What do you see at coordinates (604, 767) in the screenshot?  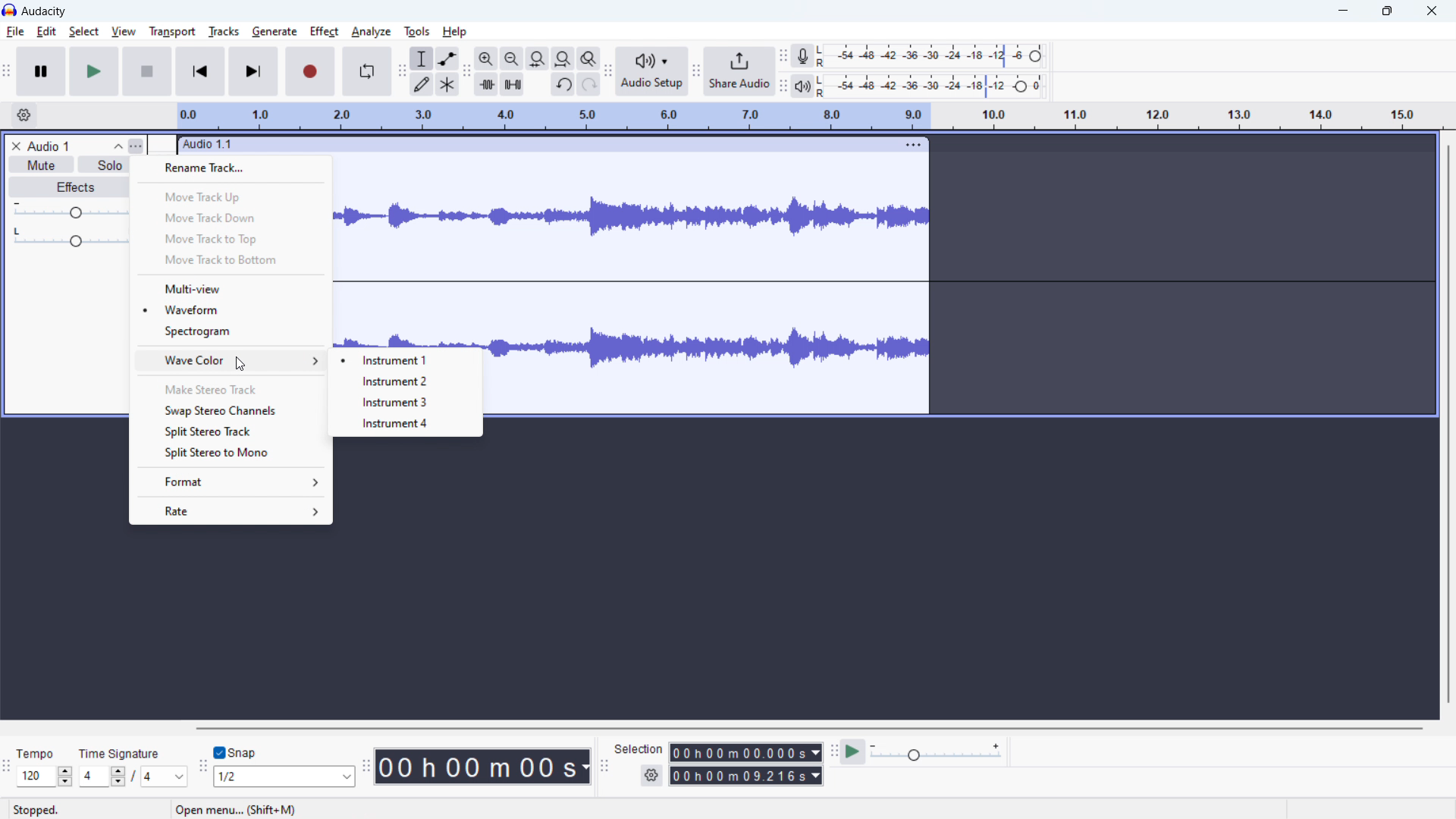 I see `selection toolbar` at bounding box center [604, 767].